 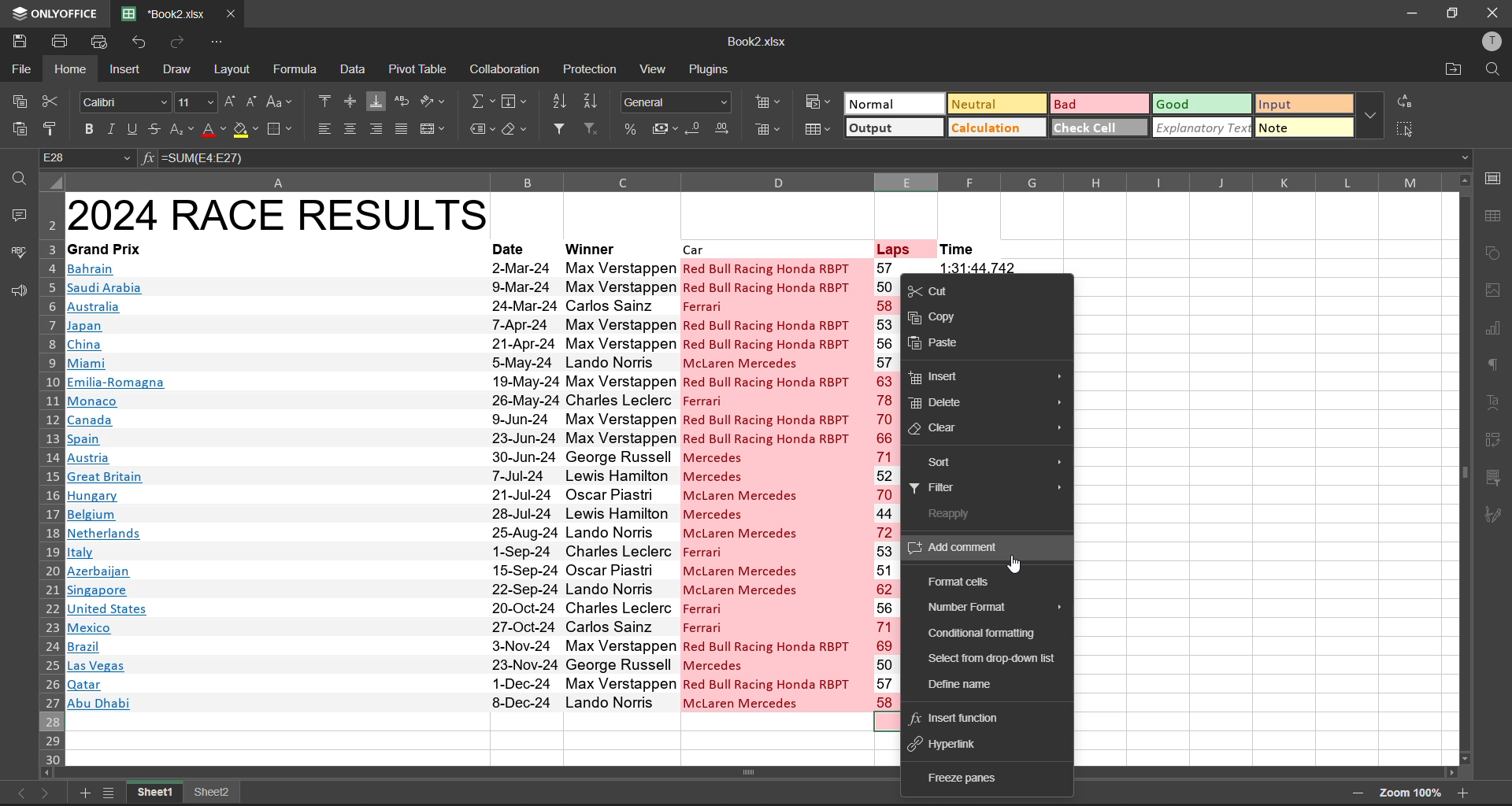 What do you see at coordinates (403, 128) in the screenshot?
I see `justified` at bounding box center [403, 128].